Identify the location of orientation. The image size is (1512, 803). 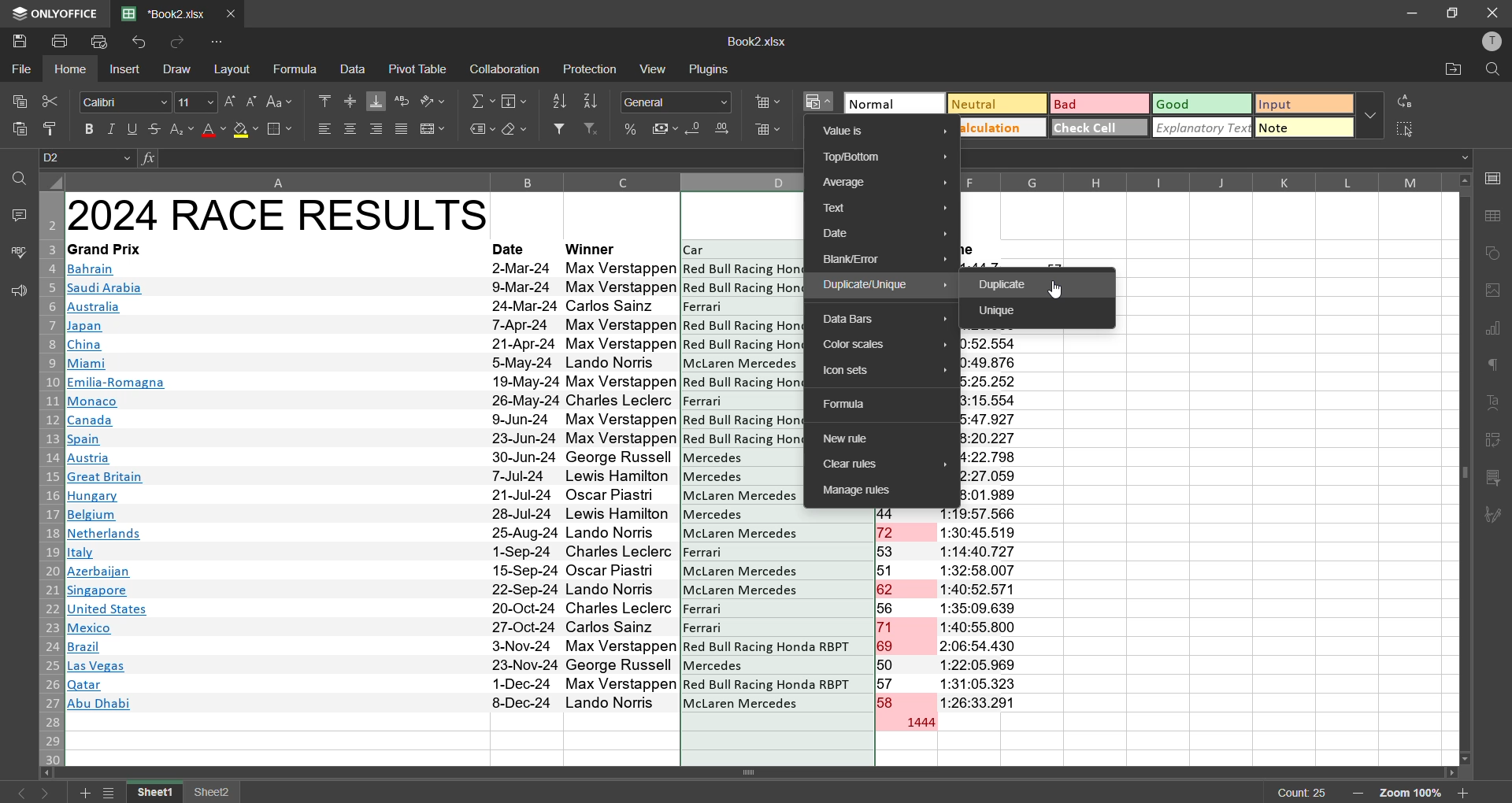
(432, 101).